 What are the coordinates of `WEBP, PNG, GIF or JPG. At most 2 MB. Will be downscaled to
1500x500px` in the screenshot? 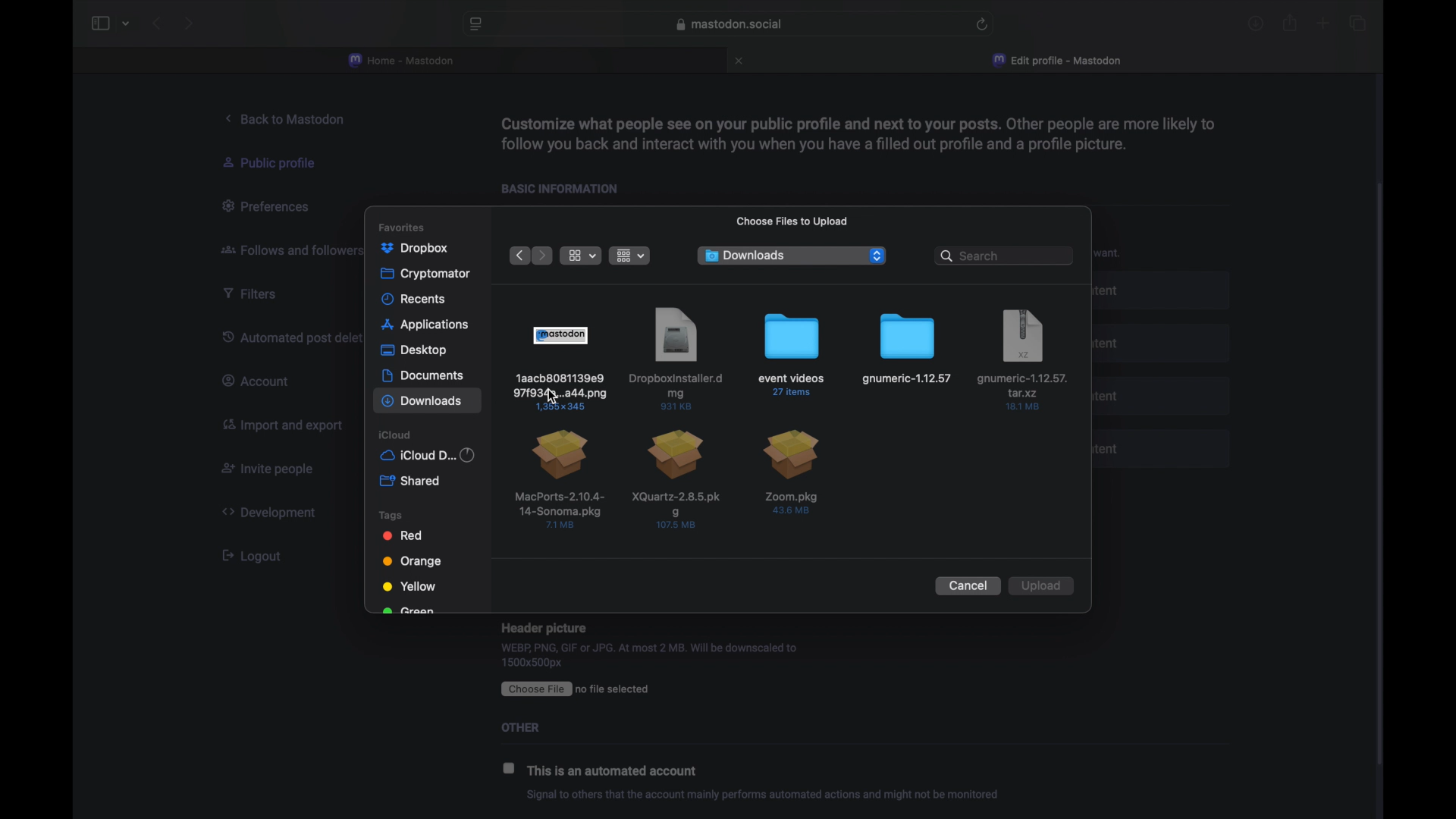 It's located at (650, 656).